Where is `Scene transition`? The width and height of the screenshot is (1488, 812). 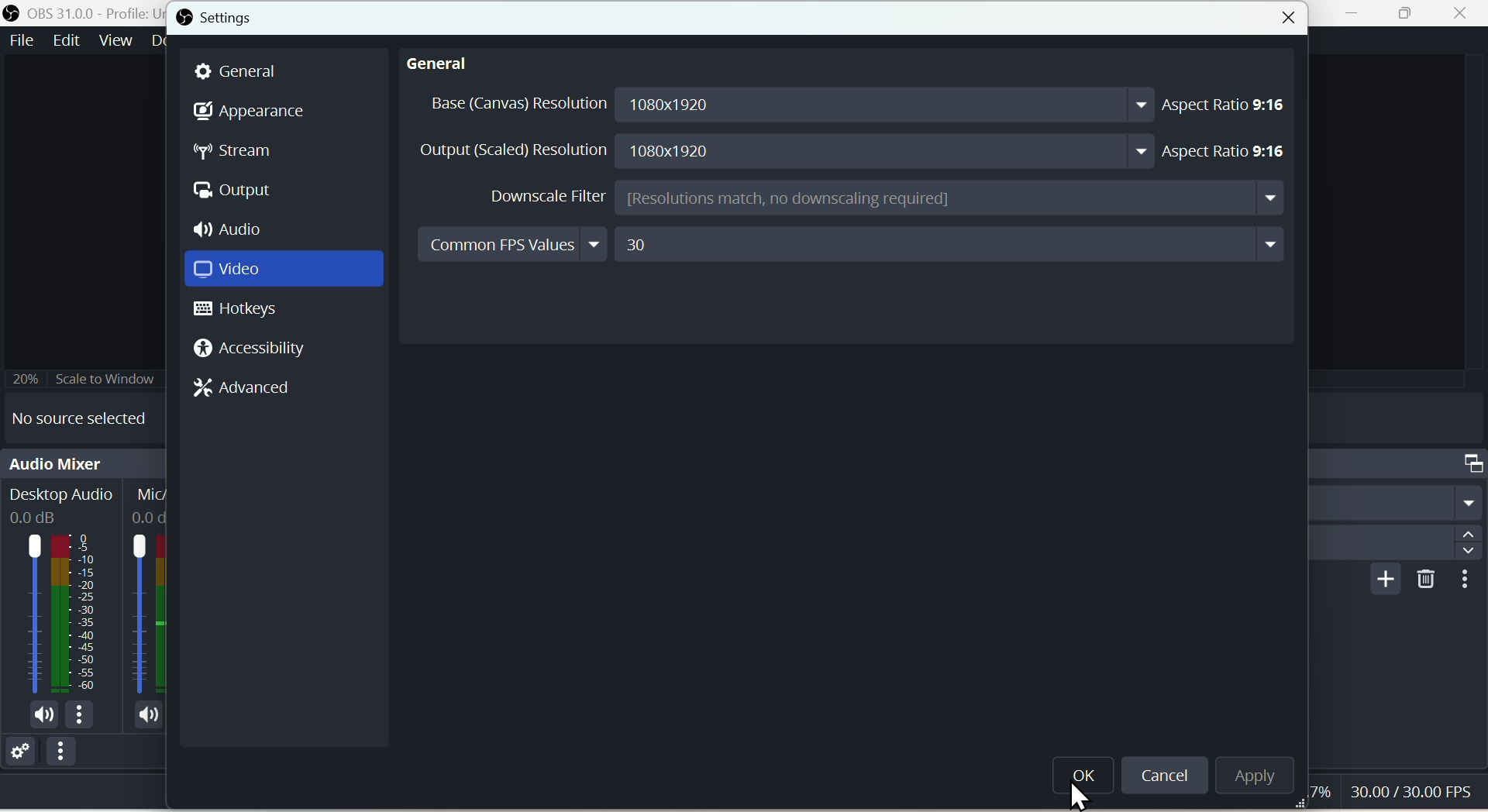 Scene transition is located at coordinates (1399, 462).